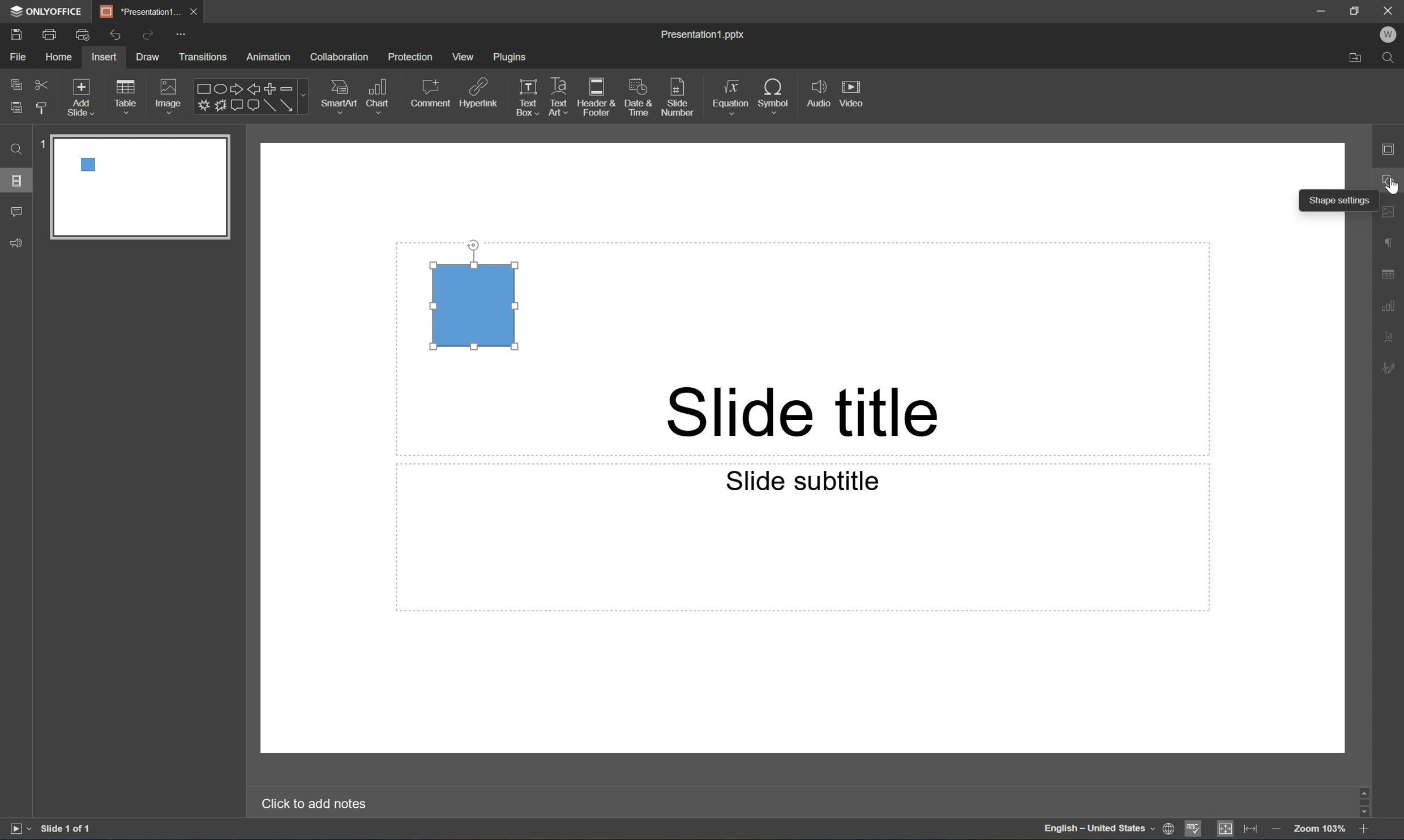 The width and height of the screenshot is (1404, 840). I want to click on Rectangle, so click(269, 106).